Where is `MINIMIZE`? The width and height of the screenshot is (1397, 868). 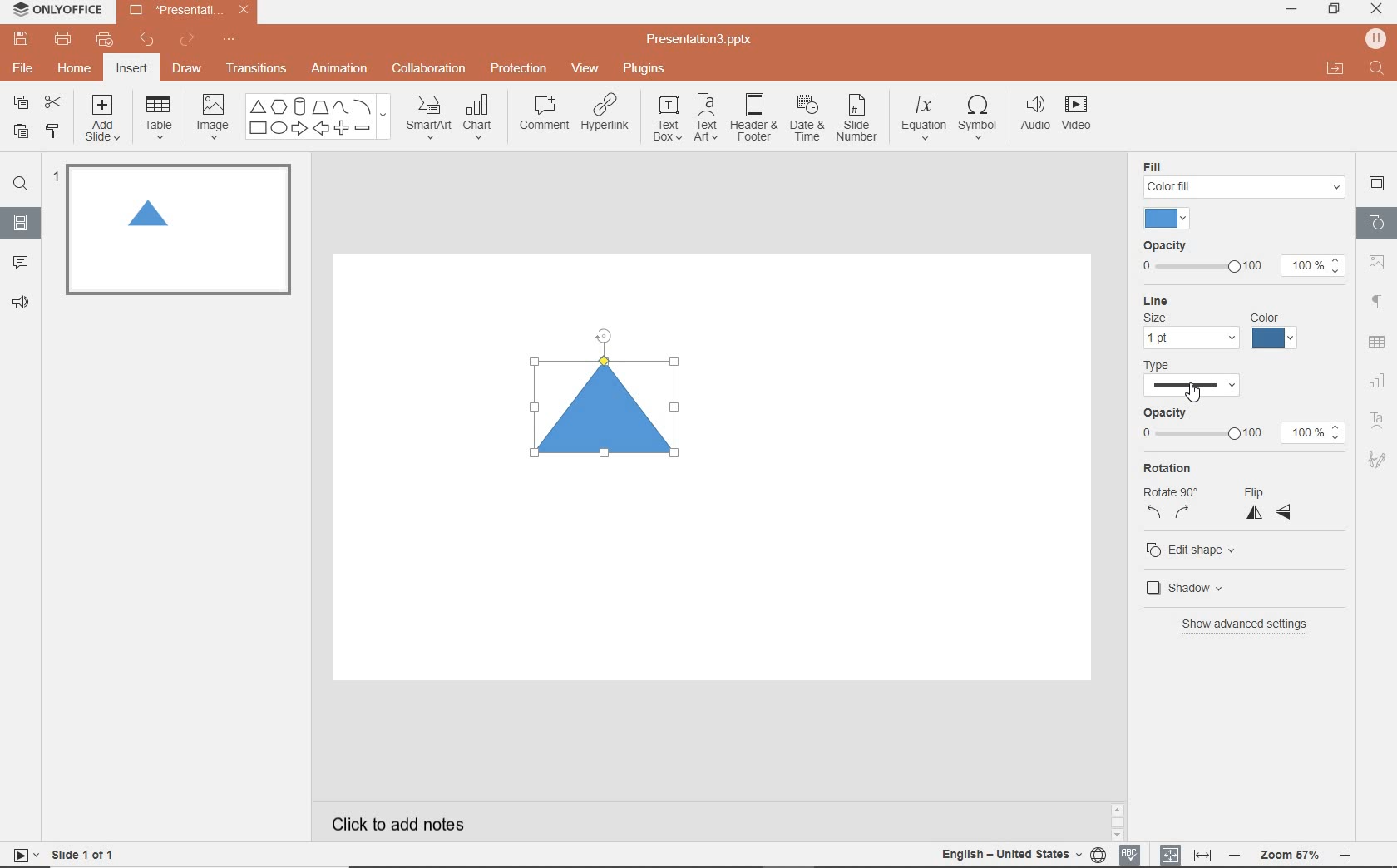 MINIMIZE is located at coordinates (1291, 10).